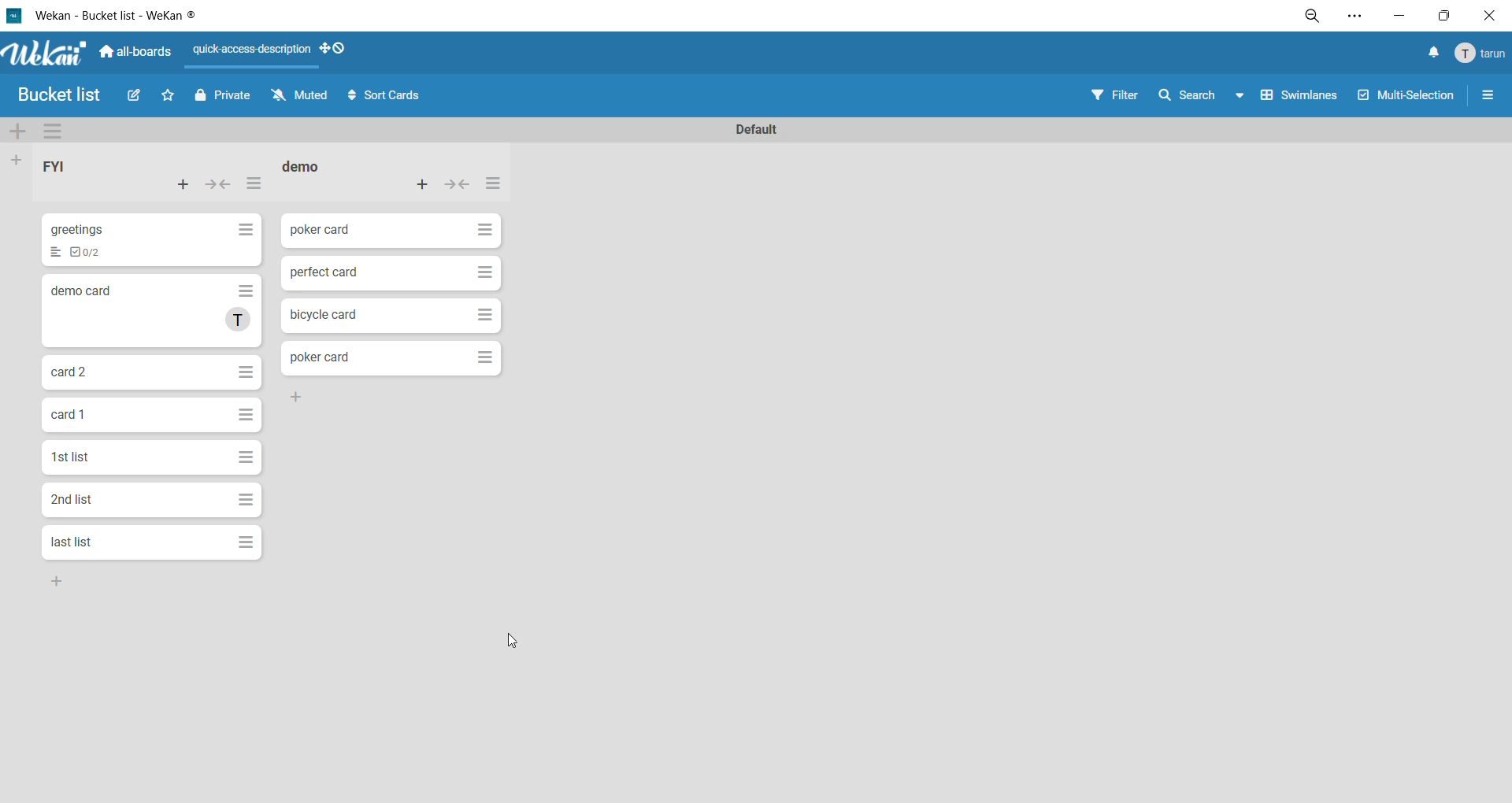  Describe the element at coordinates (1206, 94) in the screenshot. I see `search` at that location.